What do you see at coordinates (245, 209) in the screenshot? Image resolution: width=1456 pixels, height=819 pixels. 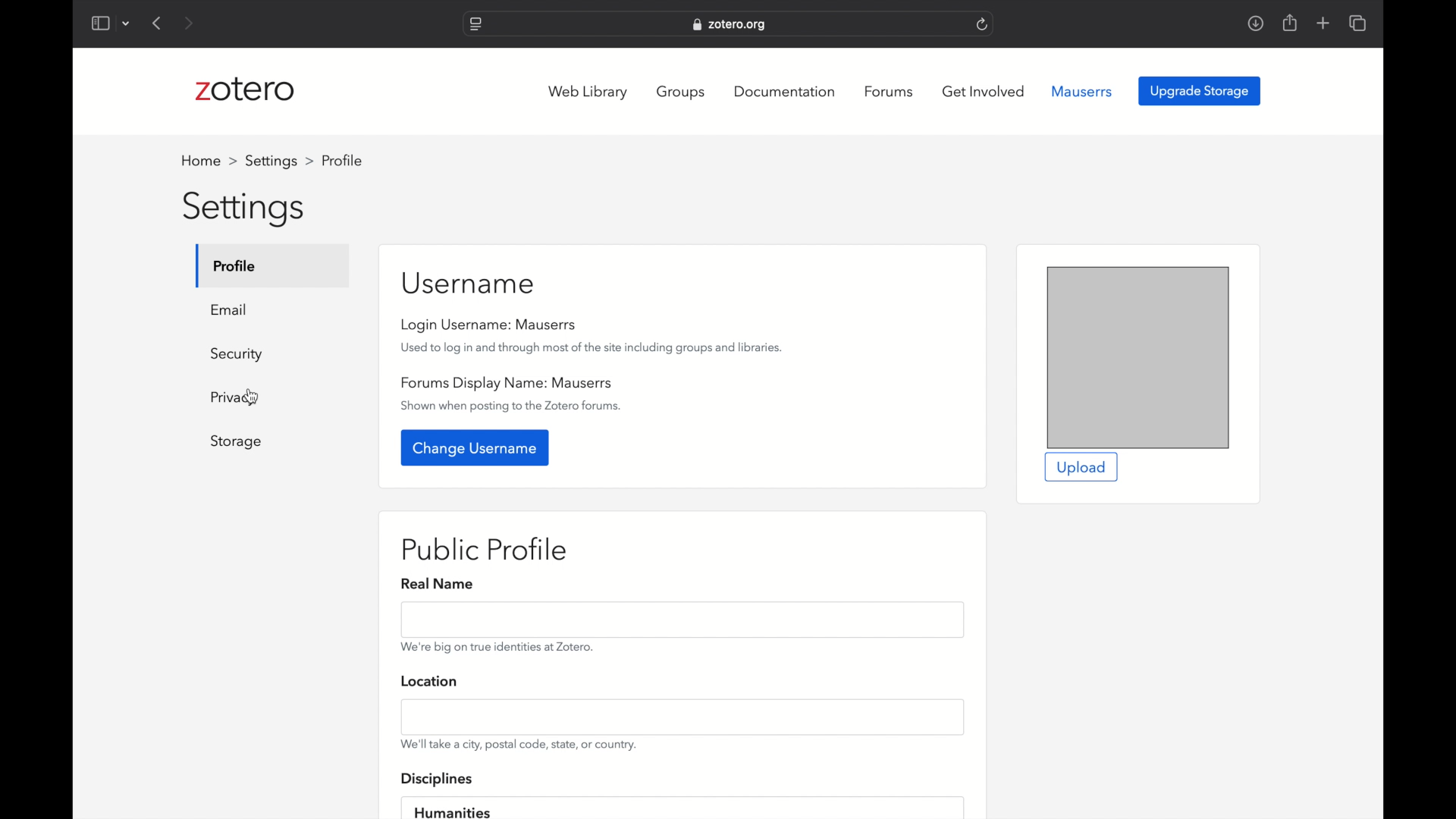 I see `settings` at bounding box center [245, 209].